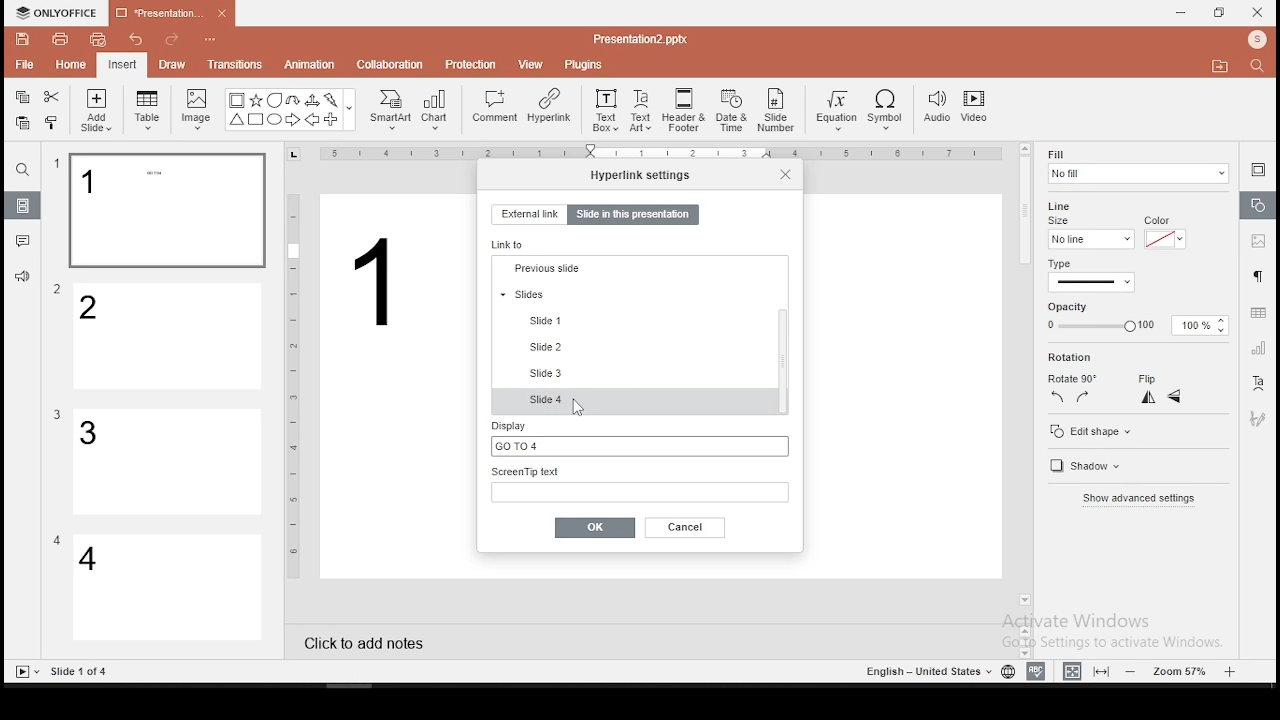 This screenshot has height=720, width=1280. What do you see at coordinates (1258, 169) in the screenshot?
I see `slide settings` at bounding box center [1258, 169].